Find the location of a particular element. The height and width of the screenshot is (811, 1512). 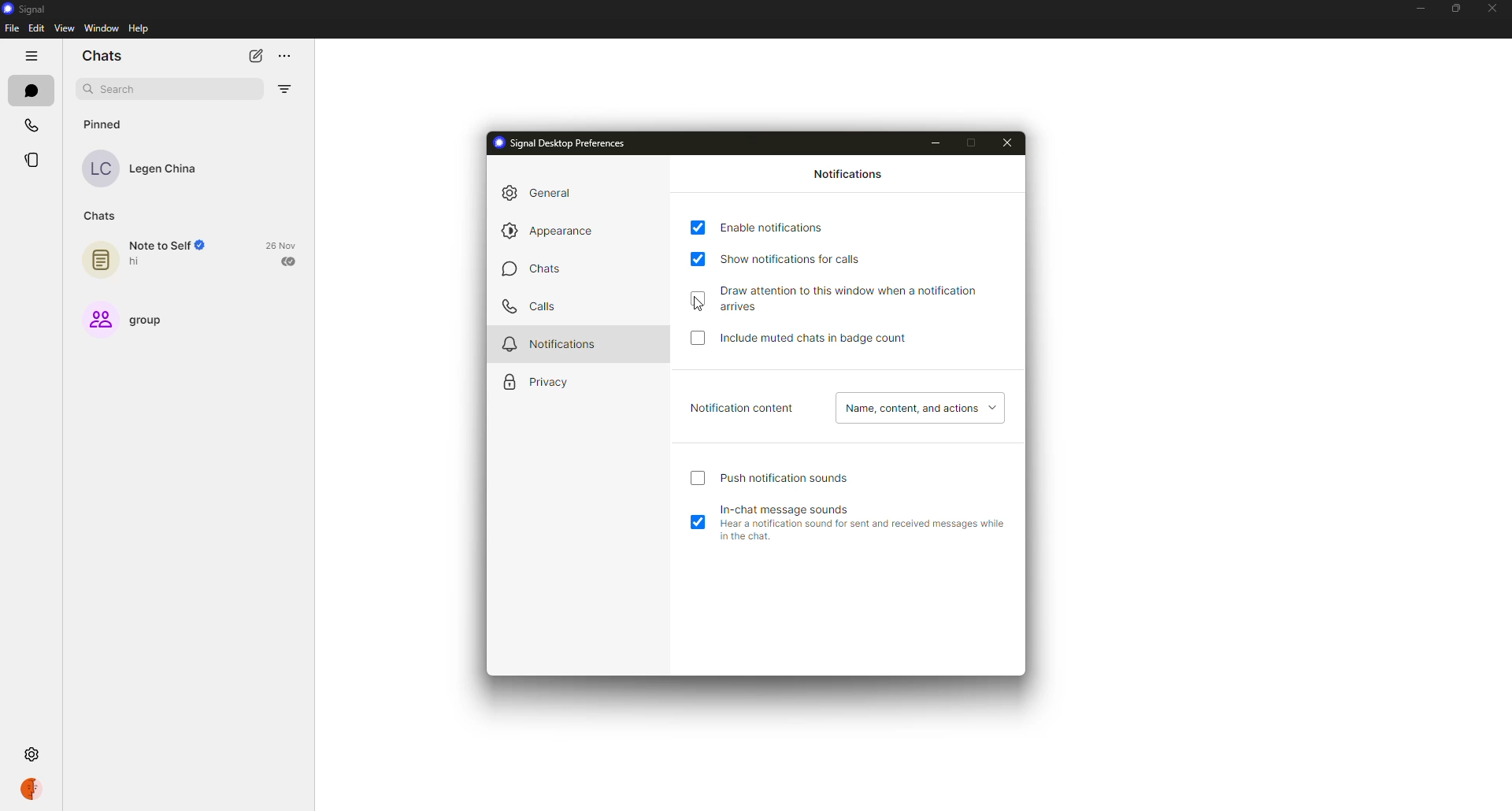

stories is located at coordinates (36, 160).